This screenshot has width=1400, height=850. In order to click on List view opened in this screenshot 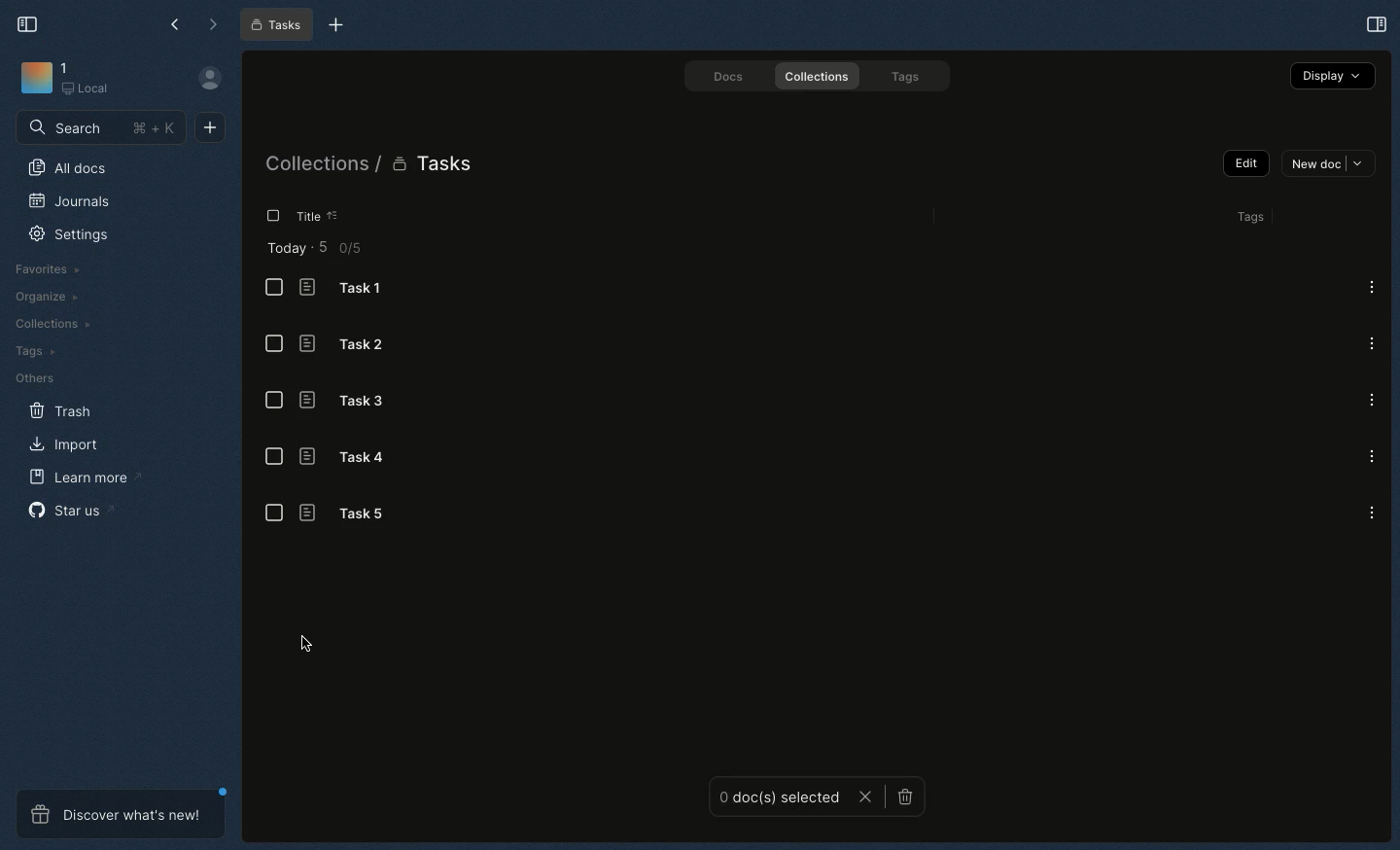, I will do `click(271, 216)`.